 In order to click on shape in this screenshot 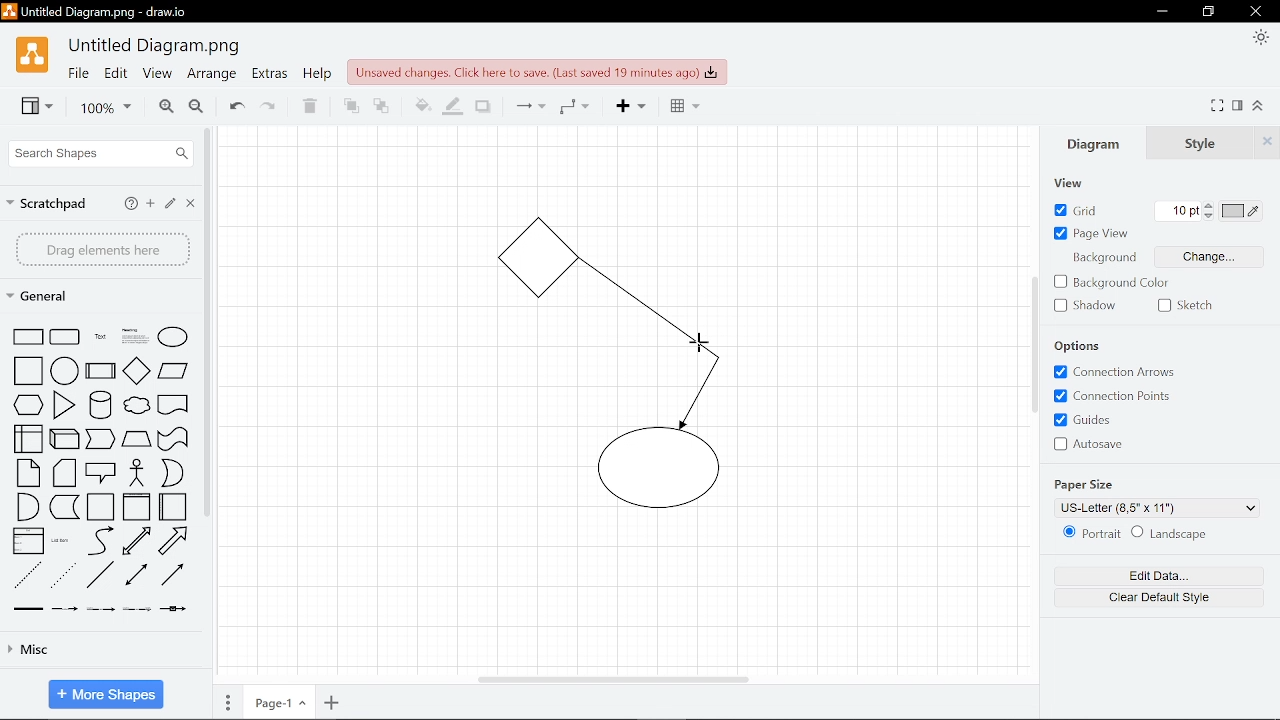, I will do `click(136, 336)`.